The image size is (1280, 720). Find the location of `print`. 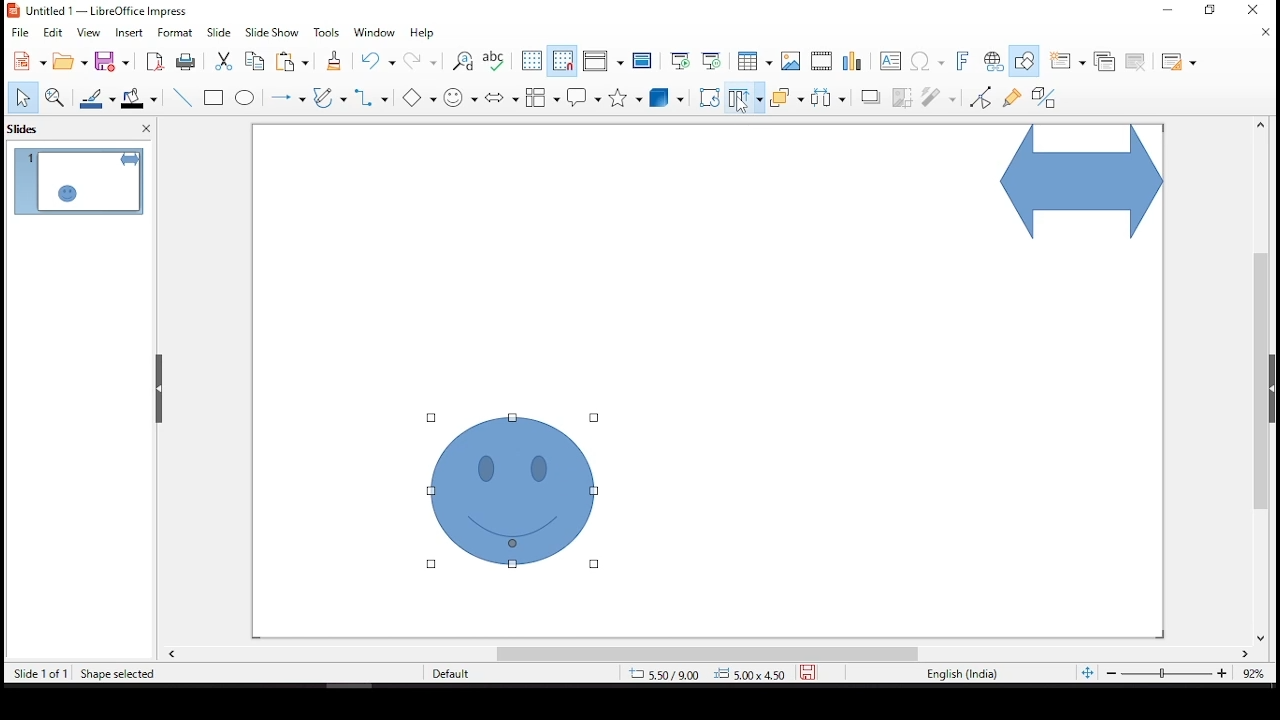

print is located at coordinates (185, 62).